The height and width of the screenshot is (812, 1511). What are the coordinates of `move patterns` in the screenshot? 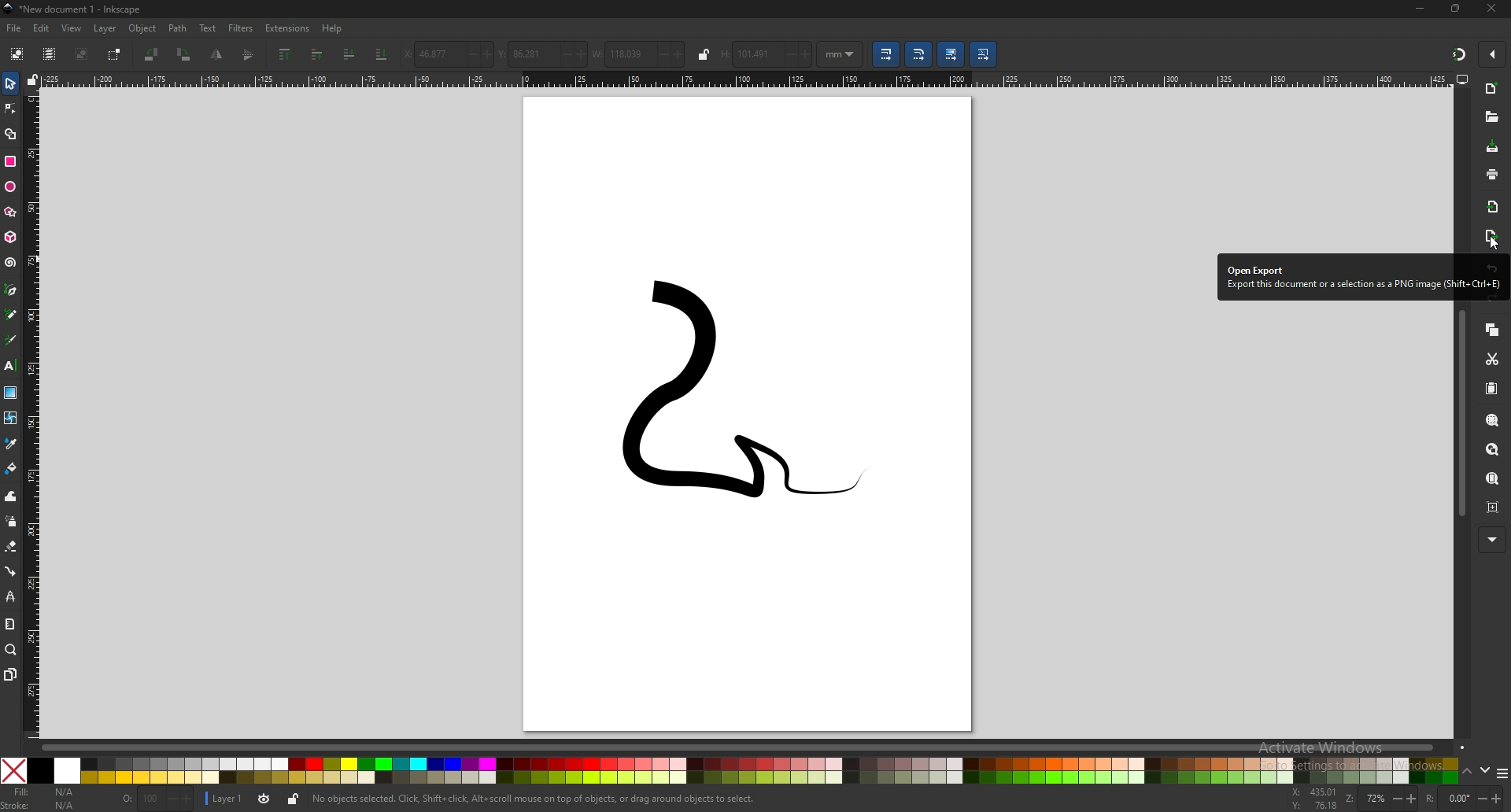 It's located at (983, 54).